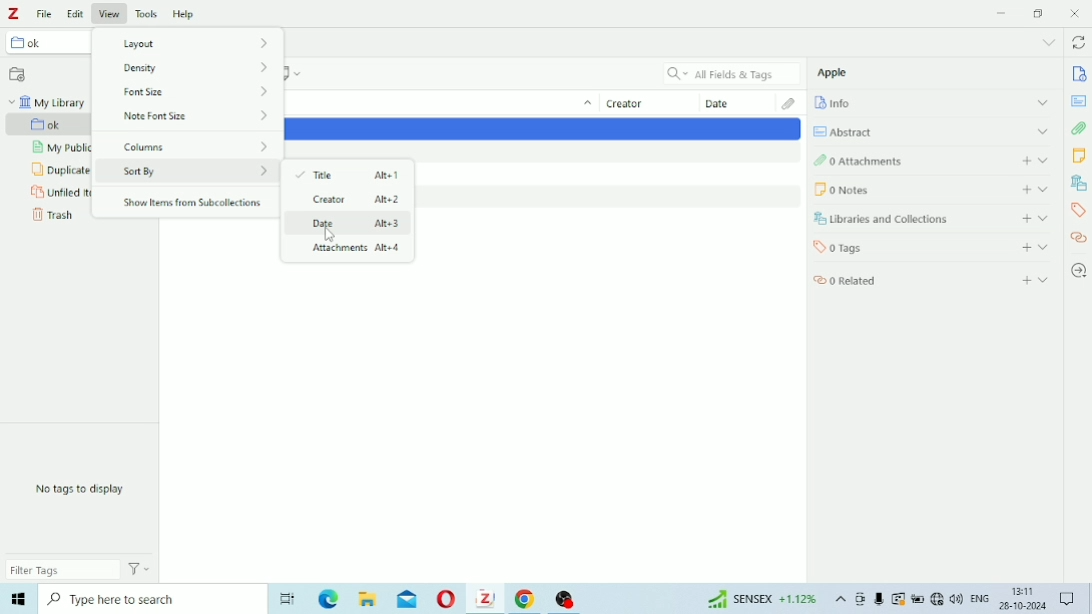  I want to click on close, so click(1078, 13).